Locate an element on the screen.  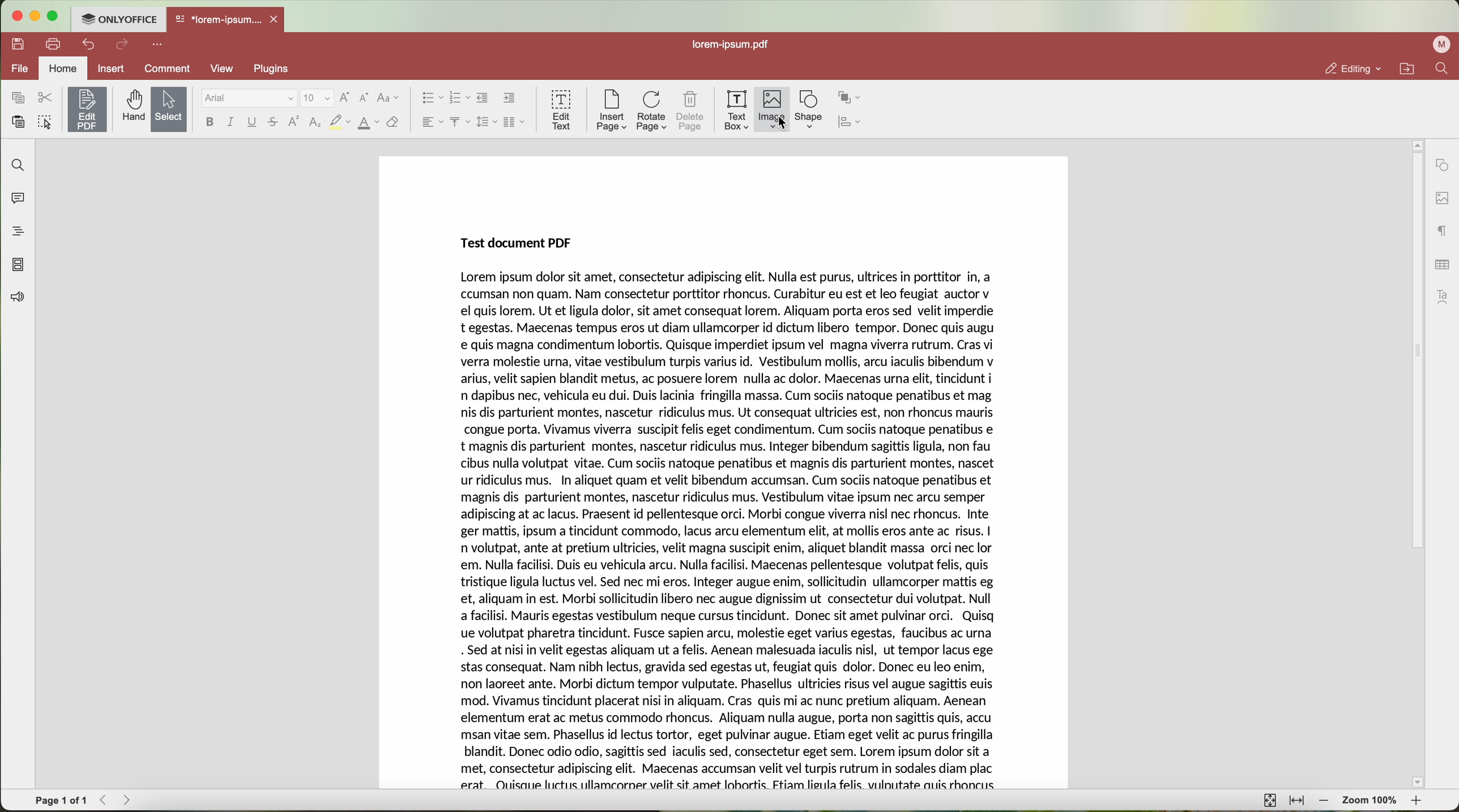
bold is located at coordinates (210, 122).